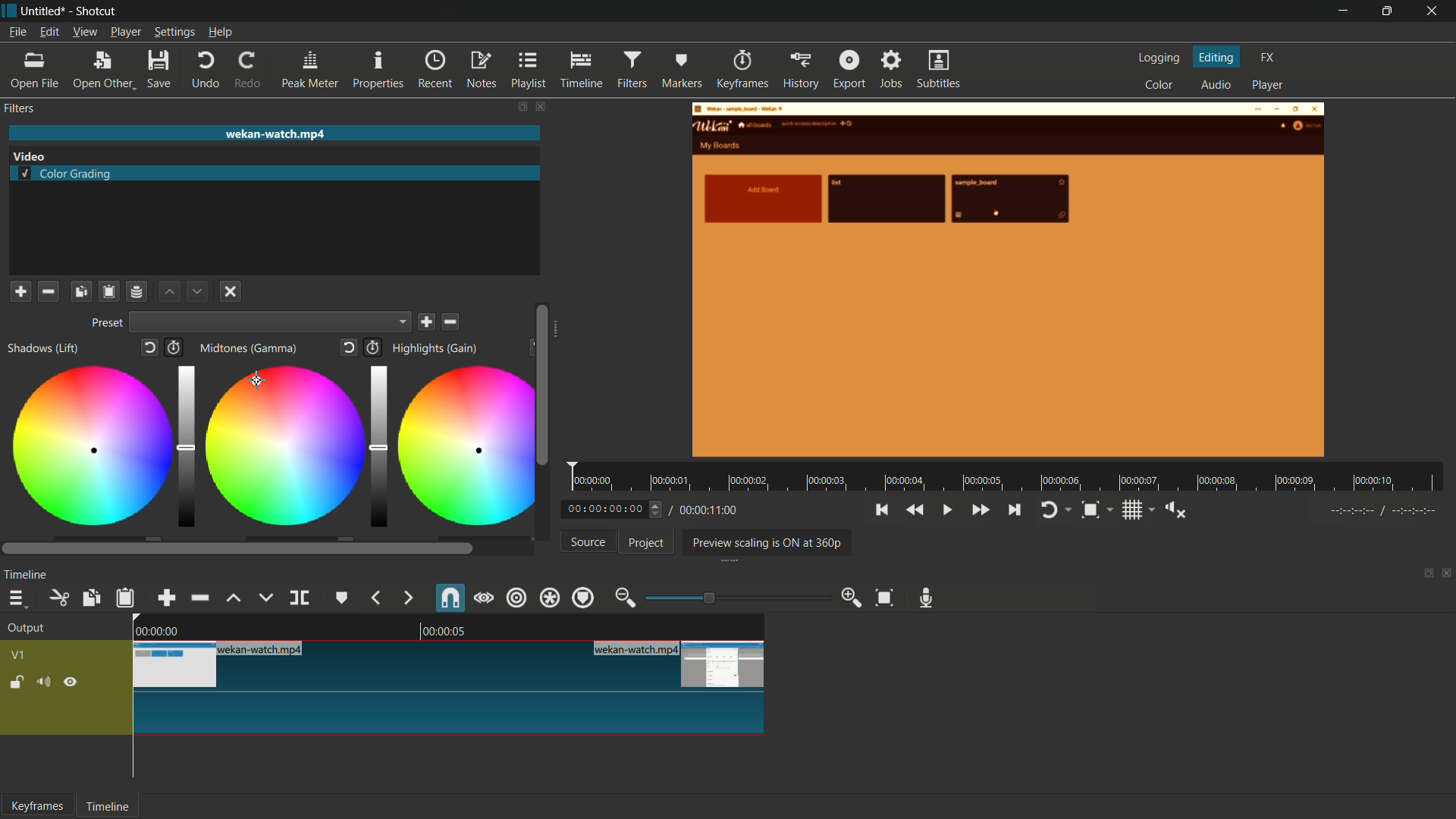 This screenshot has width=1456, height=819. Describe the element at coordinates (30, 71) in the screenshot. I see `open file` at that location.